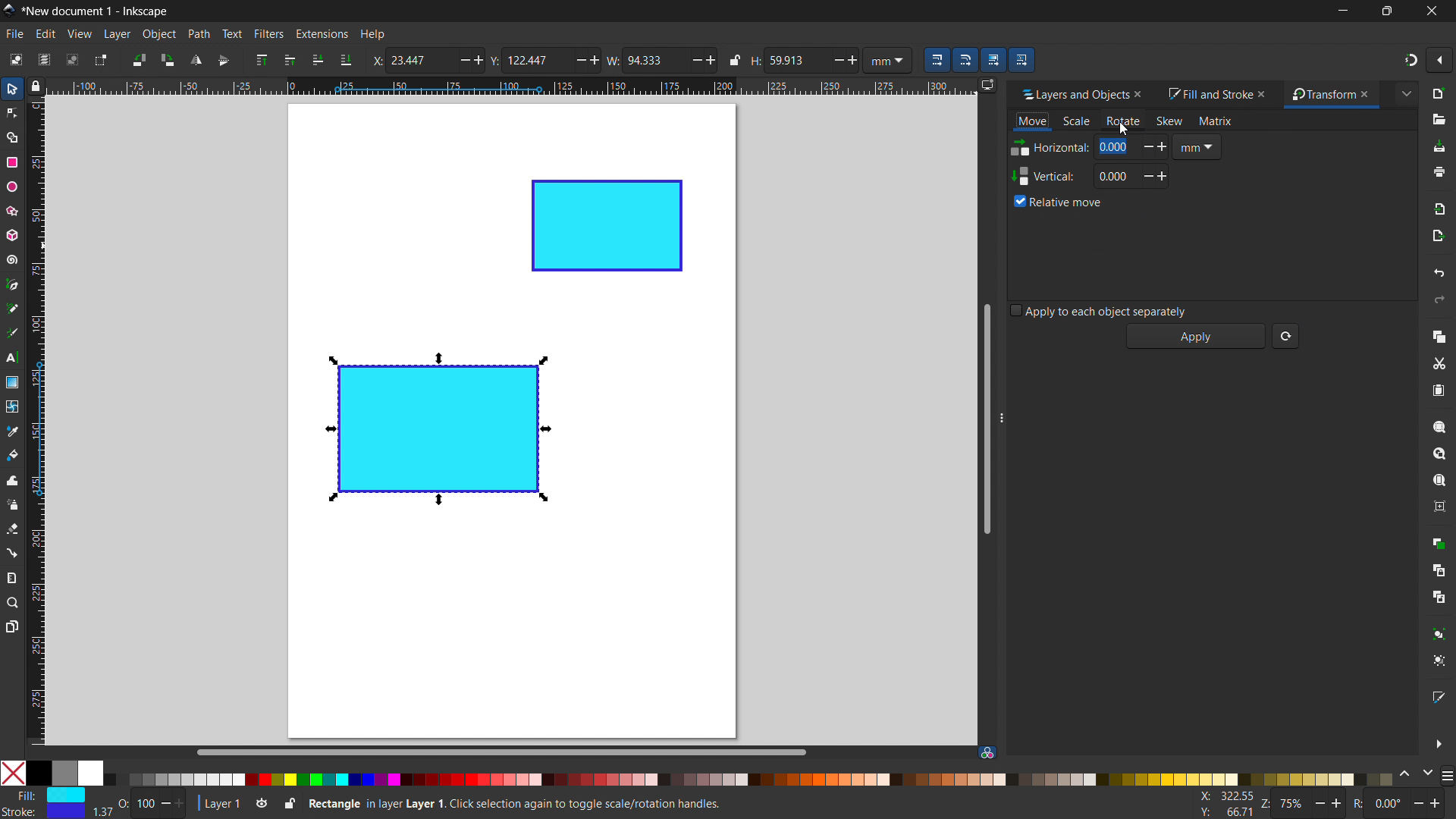  I want to click on create clone, so click(1438, 569).